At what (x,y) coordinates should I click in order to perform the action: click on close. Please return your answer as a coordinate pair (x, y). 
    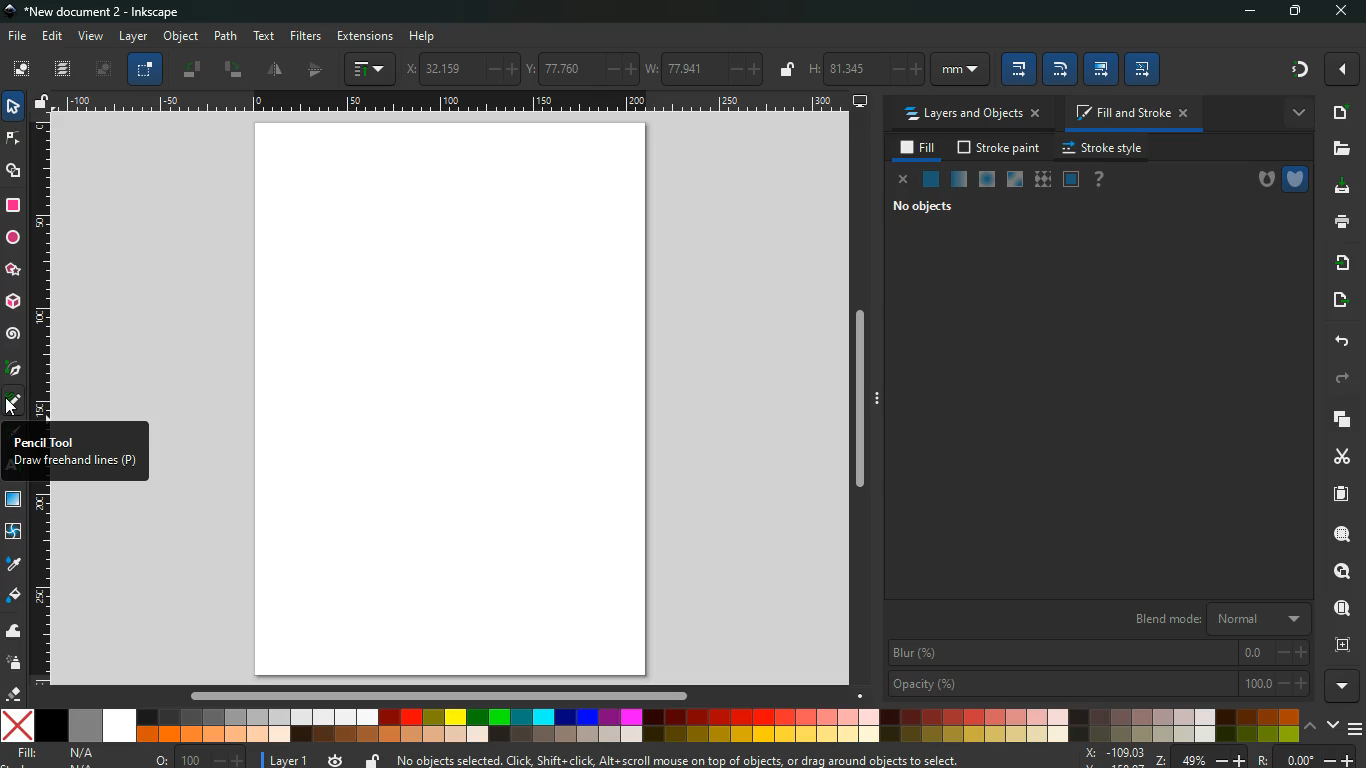
    Looking at the image, I should click on (1346, 13).